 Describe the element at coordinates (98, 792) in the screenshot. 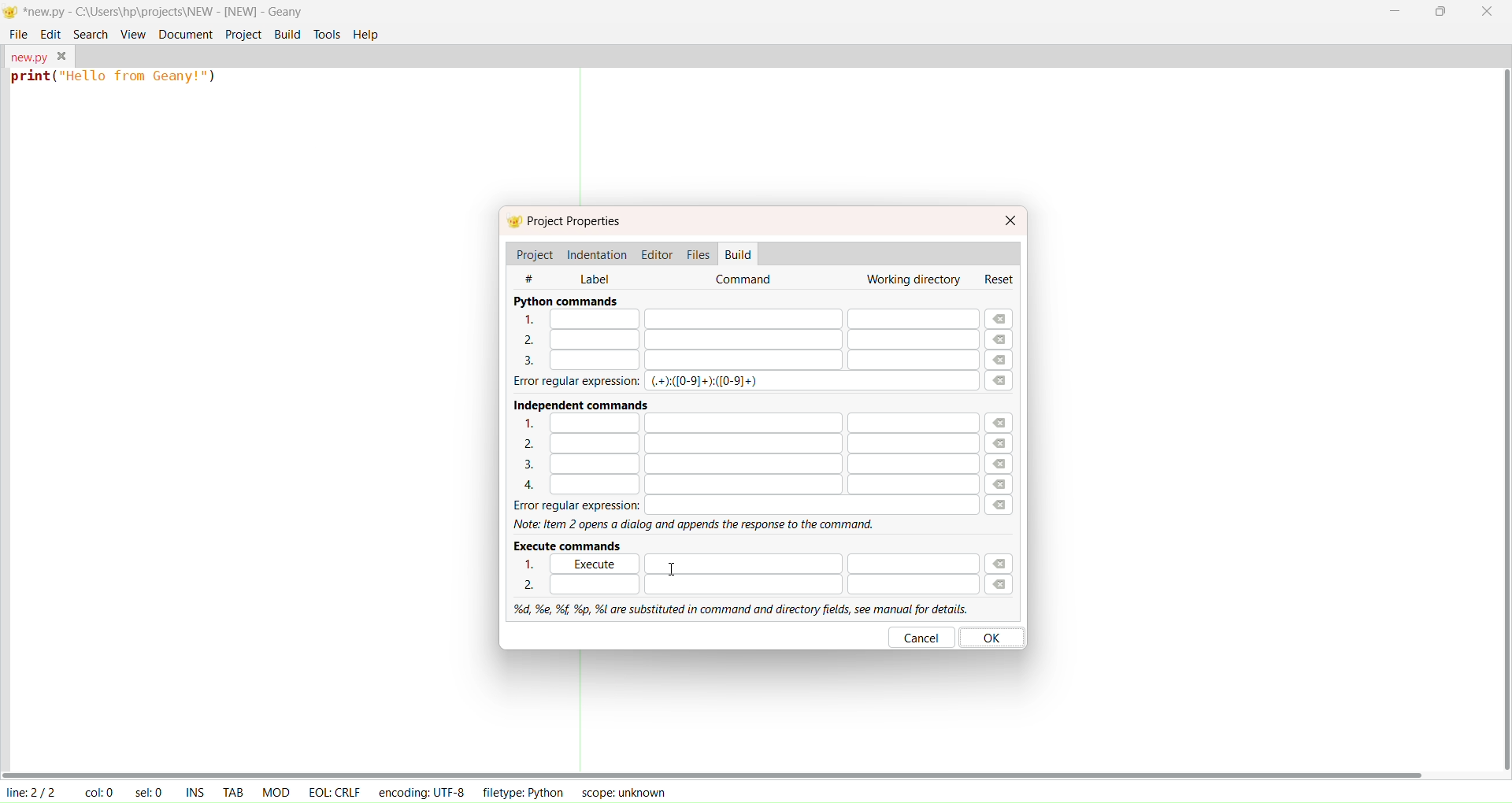

I see `col: 0` at that location.